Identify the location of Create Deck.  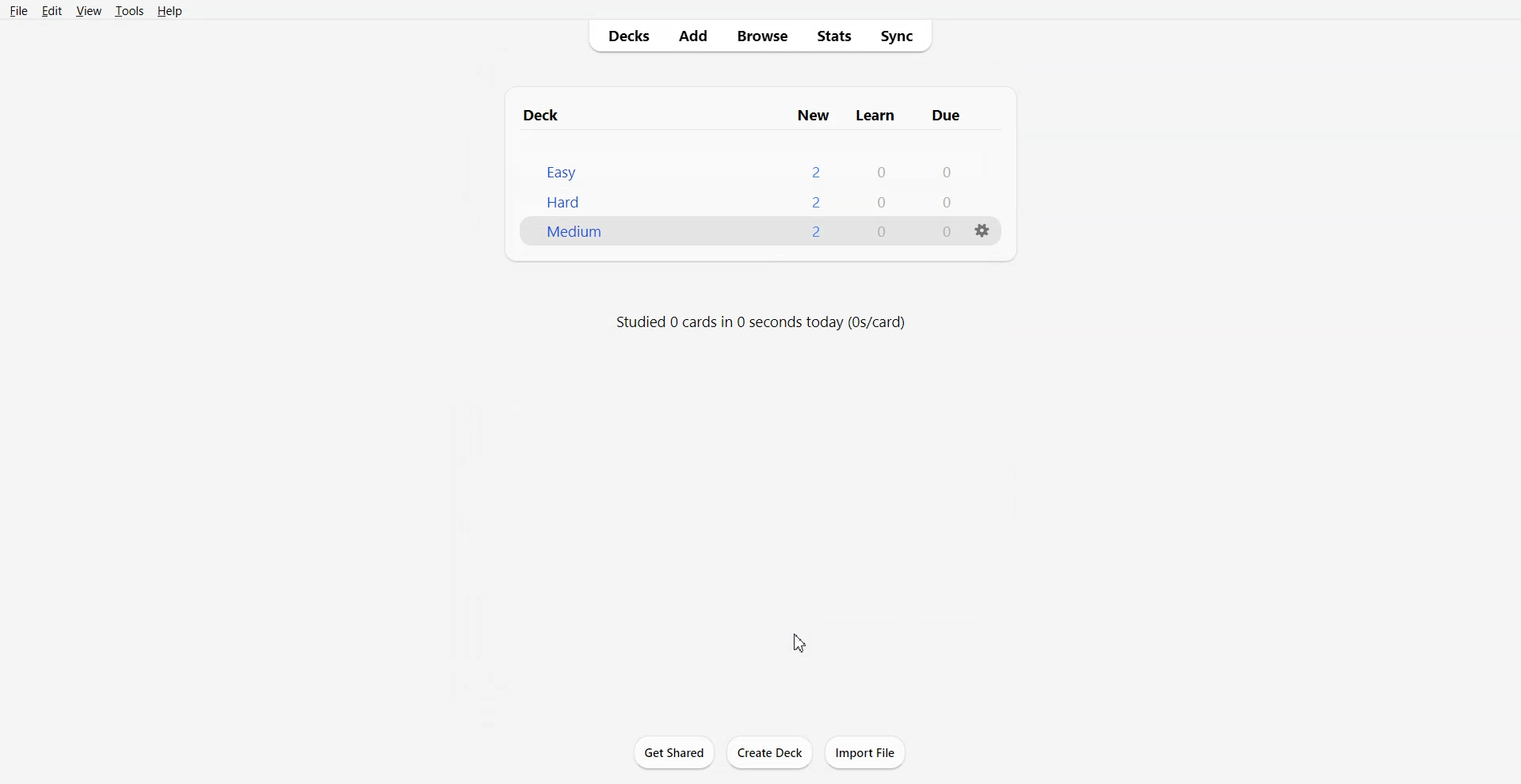
(769, 752).